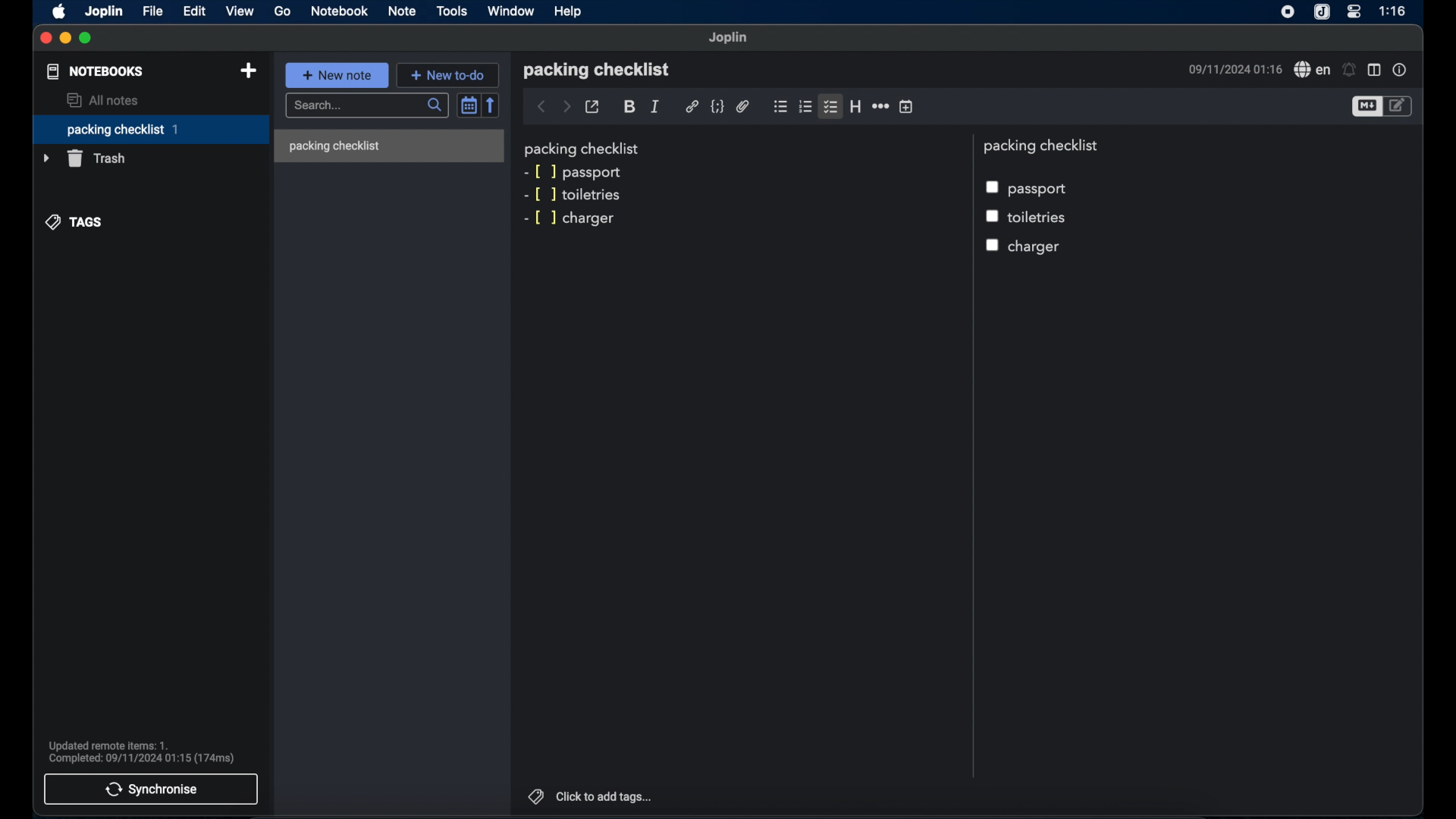 The height and width of the screenshot is (819, 1456). Describe the element at coordinates (591, 219) in the screenshot. I see `charger` at that location.